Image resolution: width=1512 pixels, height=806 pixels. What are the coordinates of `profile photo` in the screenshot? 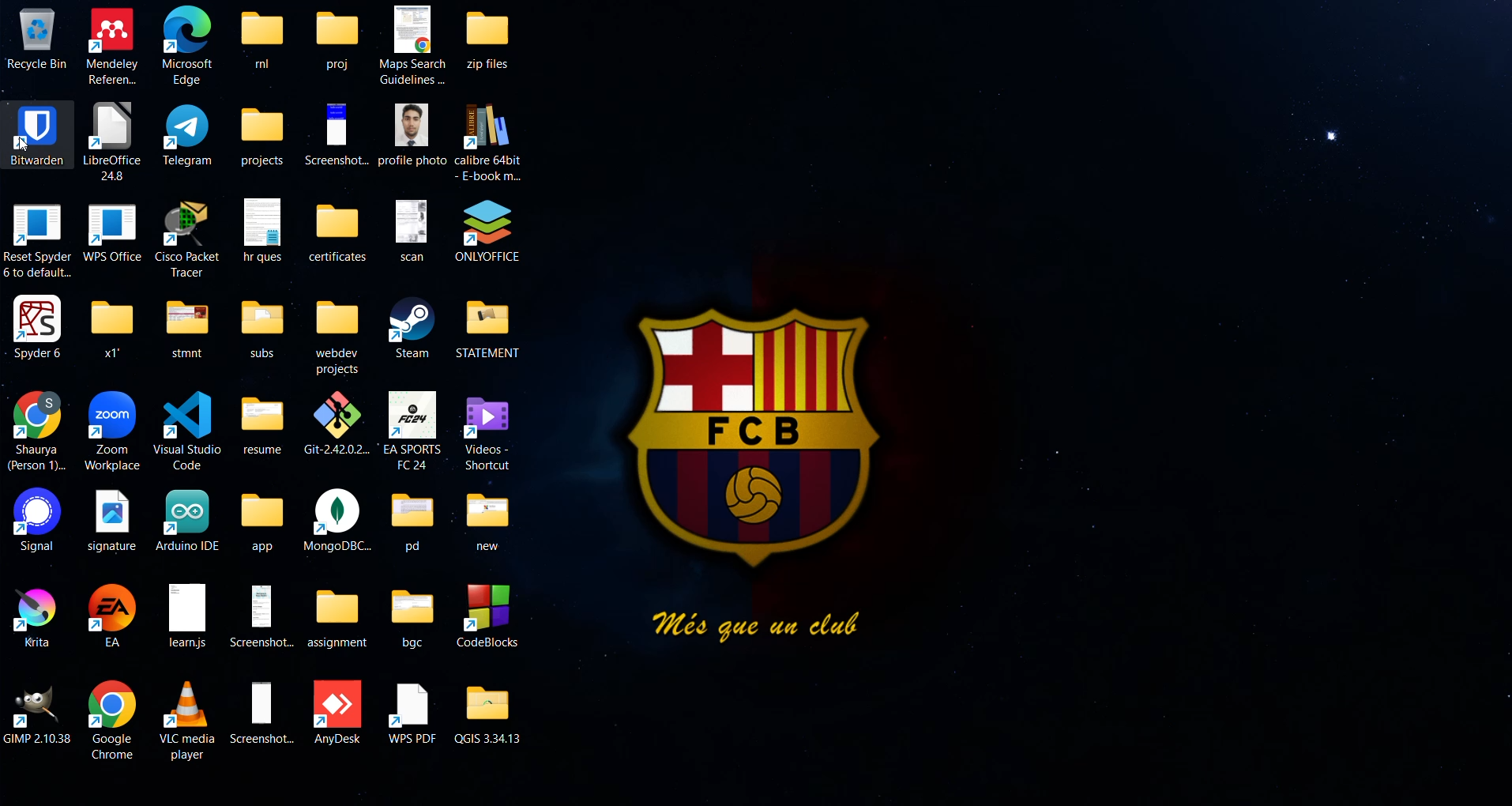 It's located at (413, 134).